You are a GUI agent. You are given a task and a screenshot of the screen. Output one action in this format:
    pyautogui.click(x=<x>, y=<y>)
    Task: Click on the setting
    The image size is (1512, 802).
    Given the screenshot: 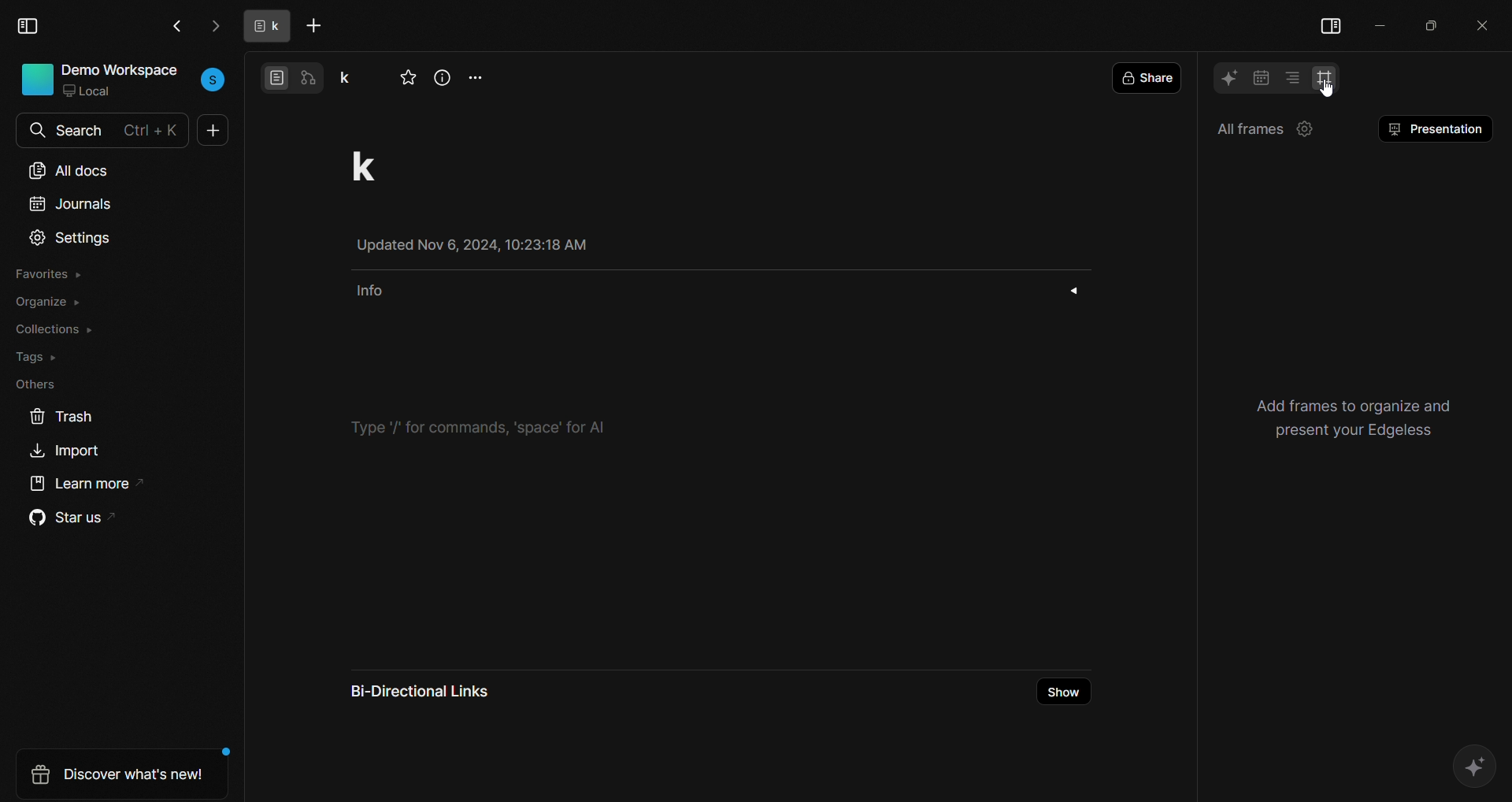 What is the action you would take?
    pyautogui.click(x=1352, y=134)
    